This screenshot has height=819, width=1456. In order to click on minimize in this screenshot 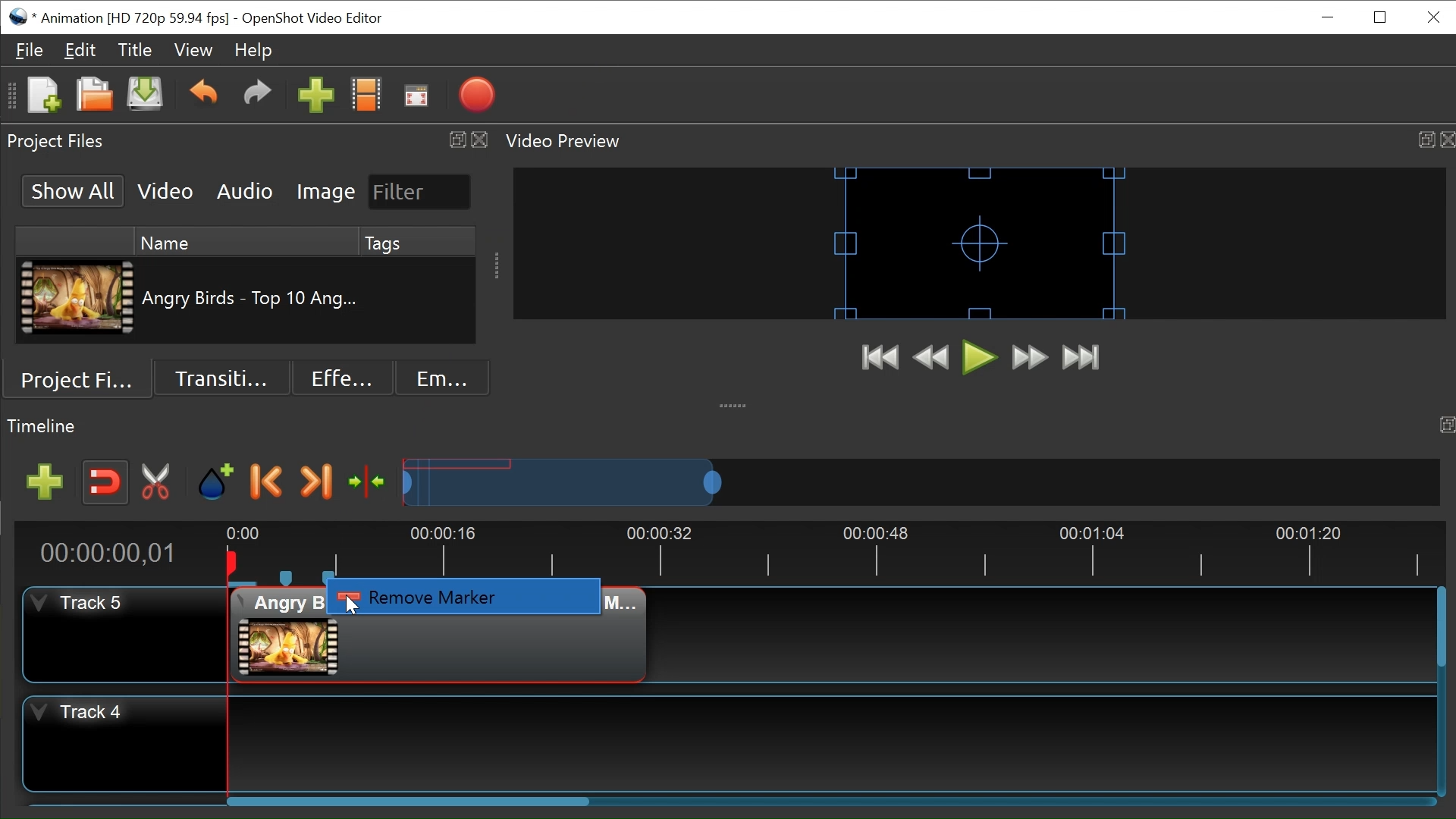, I will do `click(1329, 17)`.